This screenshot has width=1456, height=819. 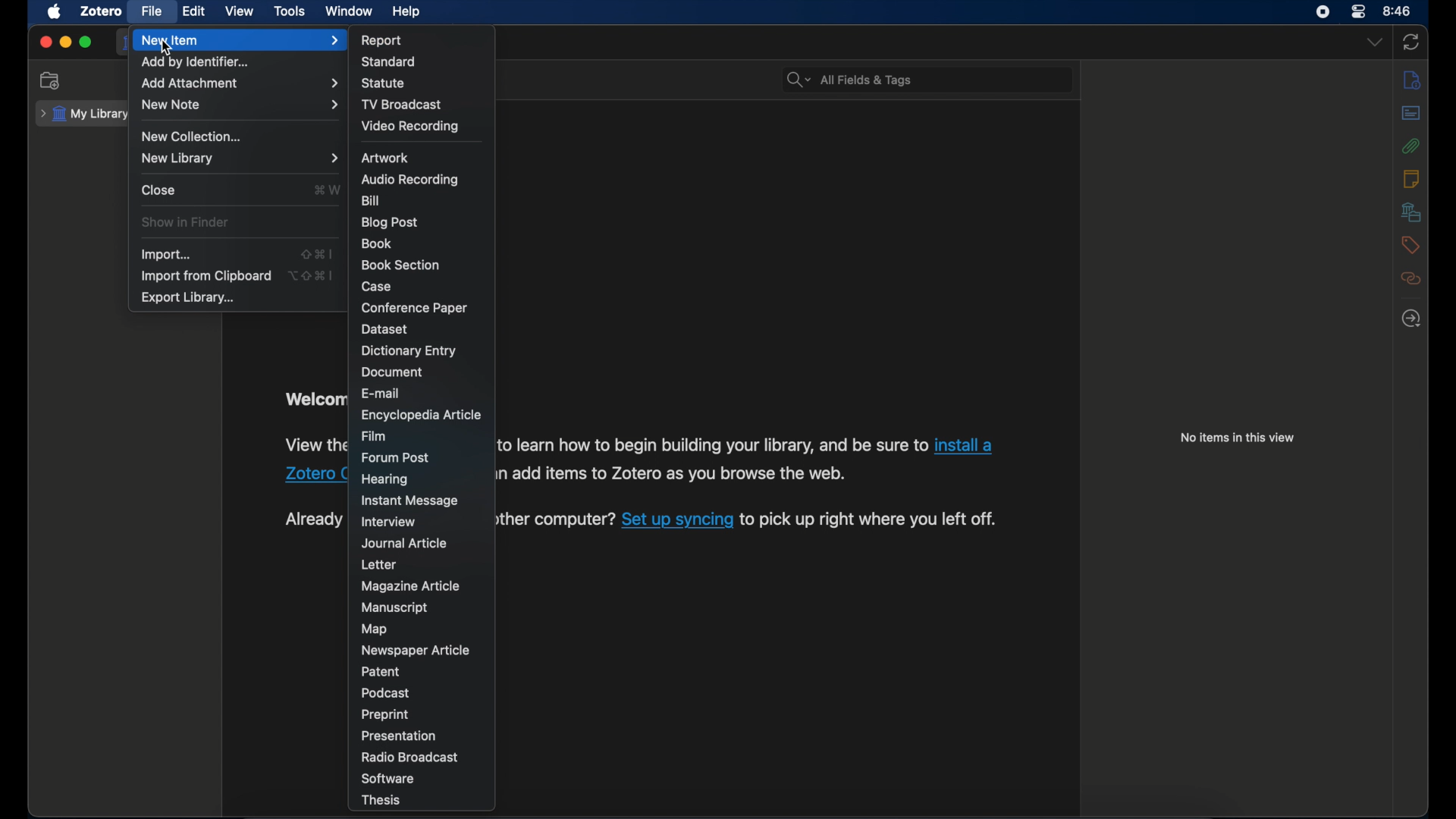 What do you see at coordinates (411, 585) in the screenshot?
I see `magazine article` at bounding box center [411, 585].